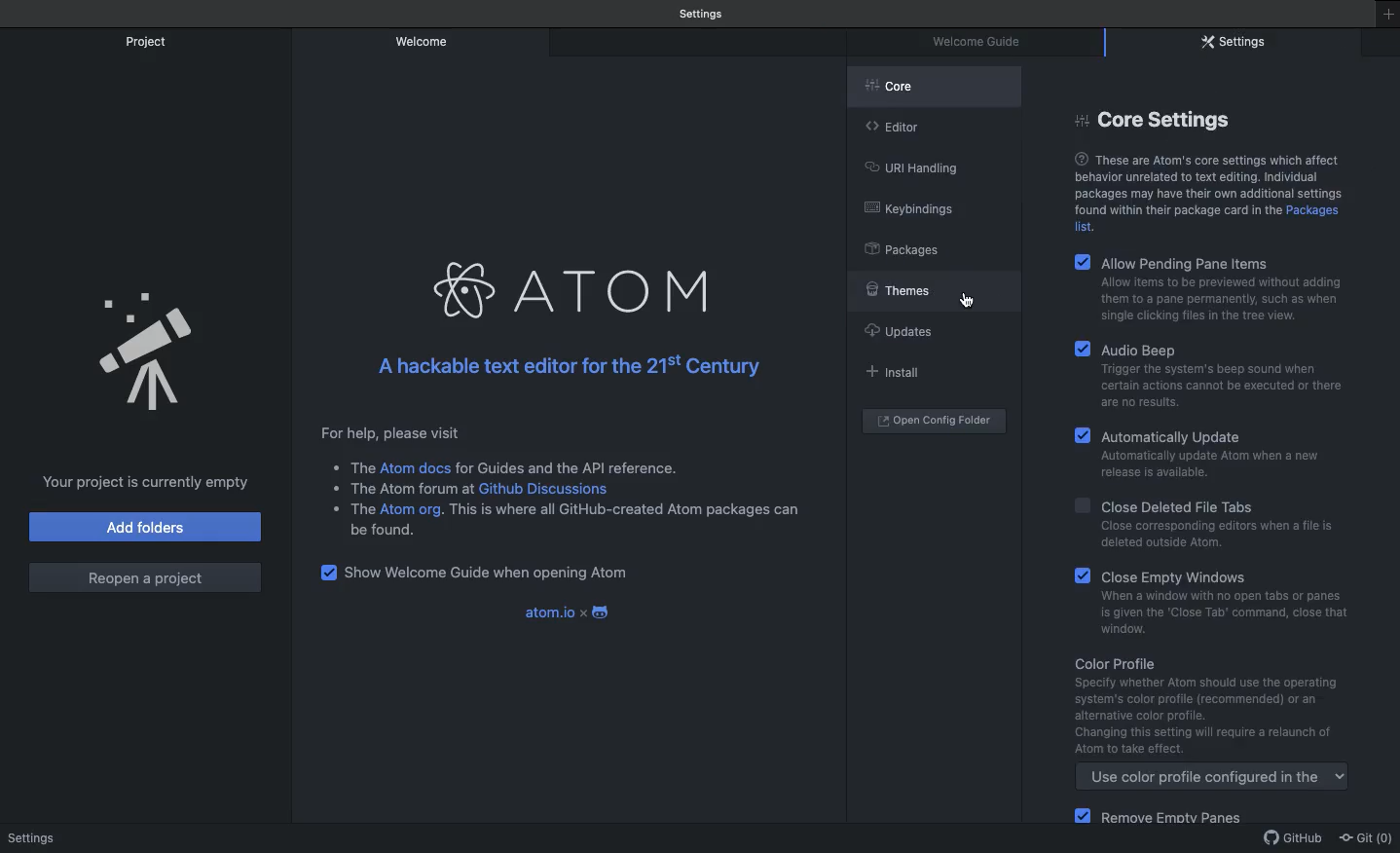 Image resolution: width=1400 pixels, height=853 pixels. Describe the element at coordinates (1220, 613) in the screenshot. I see `When a window with no open tabs or par
is given the ‘Close Tab' command, close
window.` at that location.